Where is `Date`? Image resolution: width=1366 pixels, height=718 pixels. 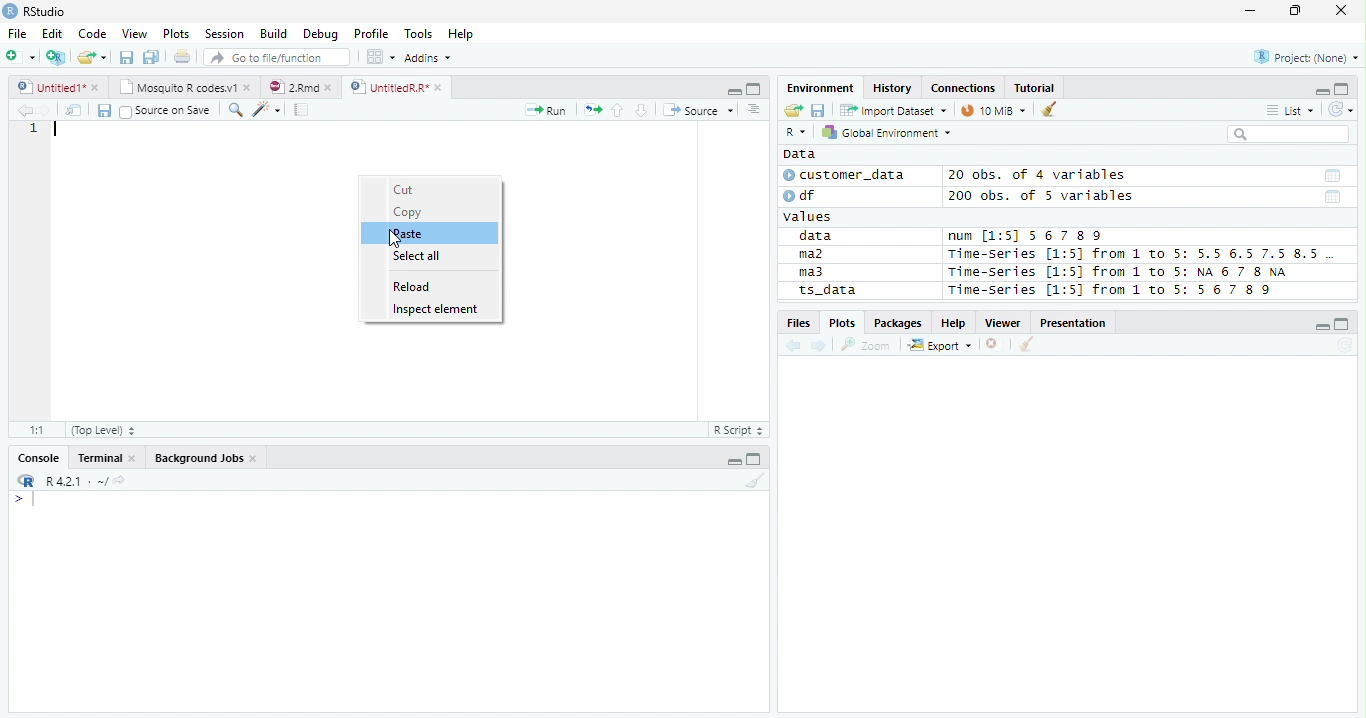
Date is located at coordinates (1333, 198).